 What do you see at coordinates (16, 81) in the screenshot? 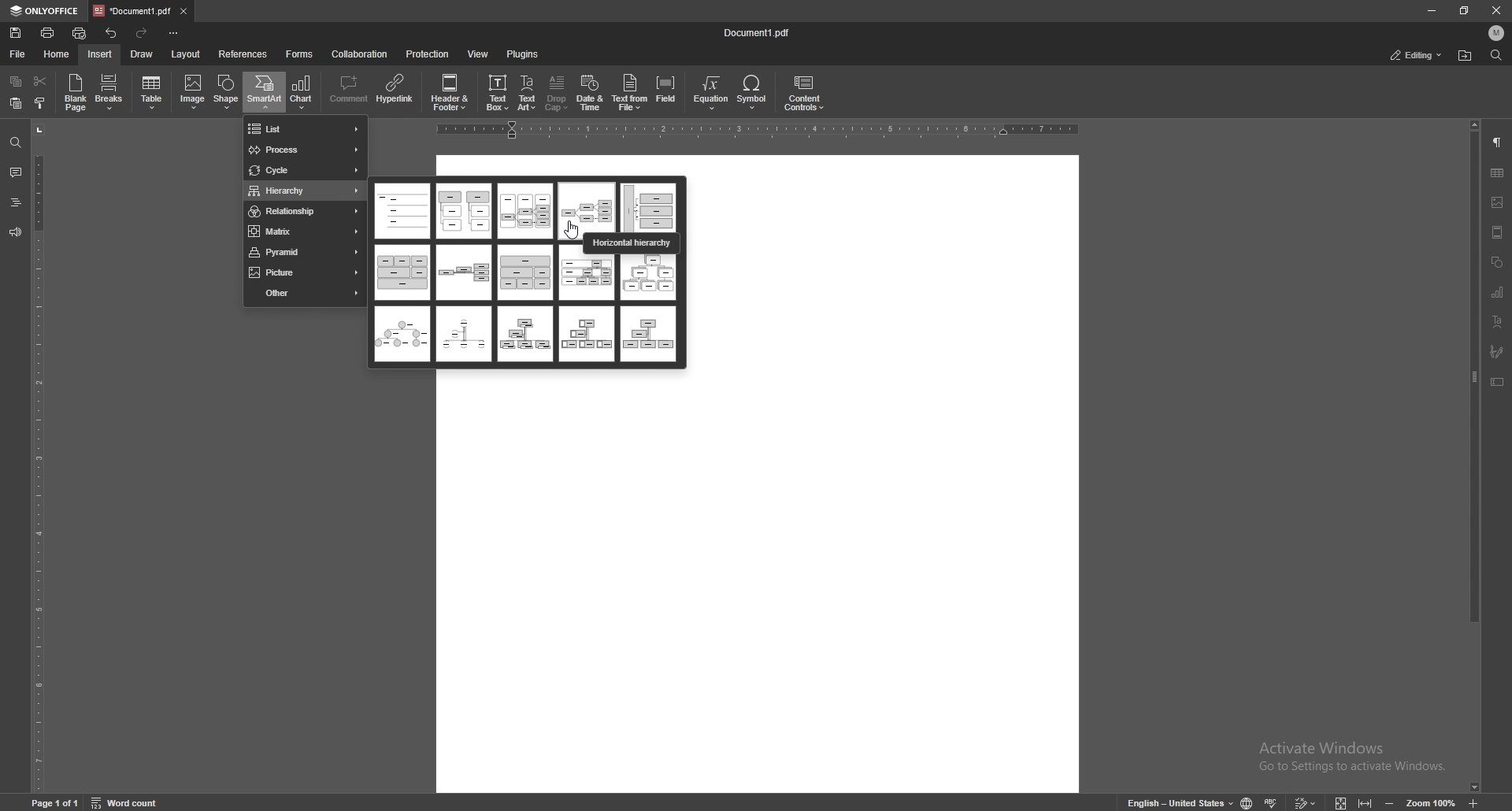
I see `copy` at bounding box center [16, 81].